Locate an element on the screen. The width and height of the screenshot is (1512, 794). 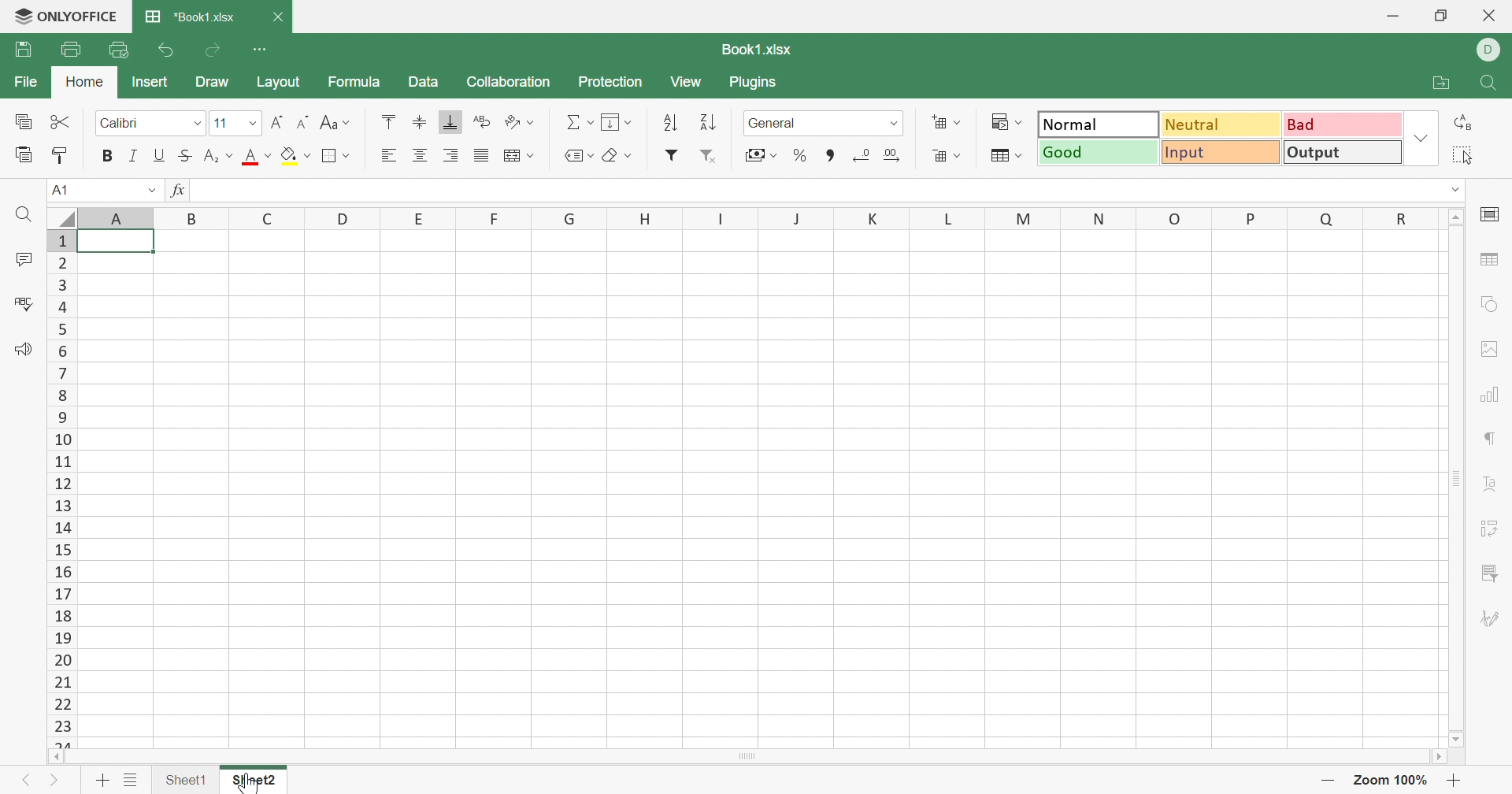
Close is located at coordinates (1492, 18).